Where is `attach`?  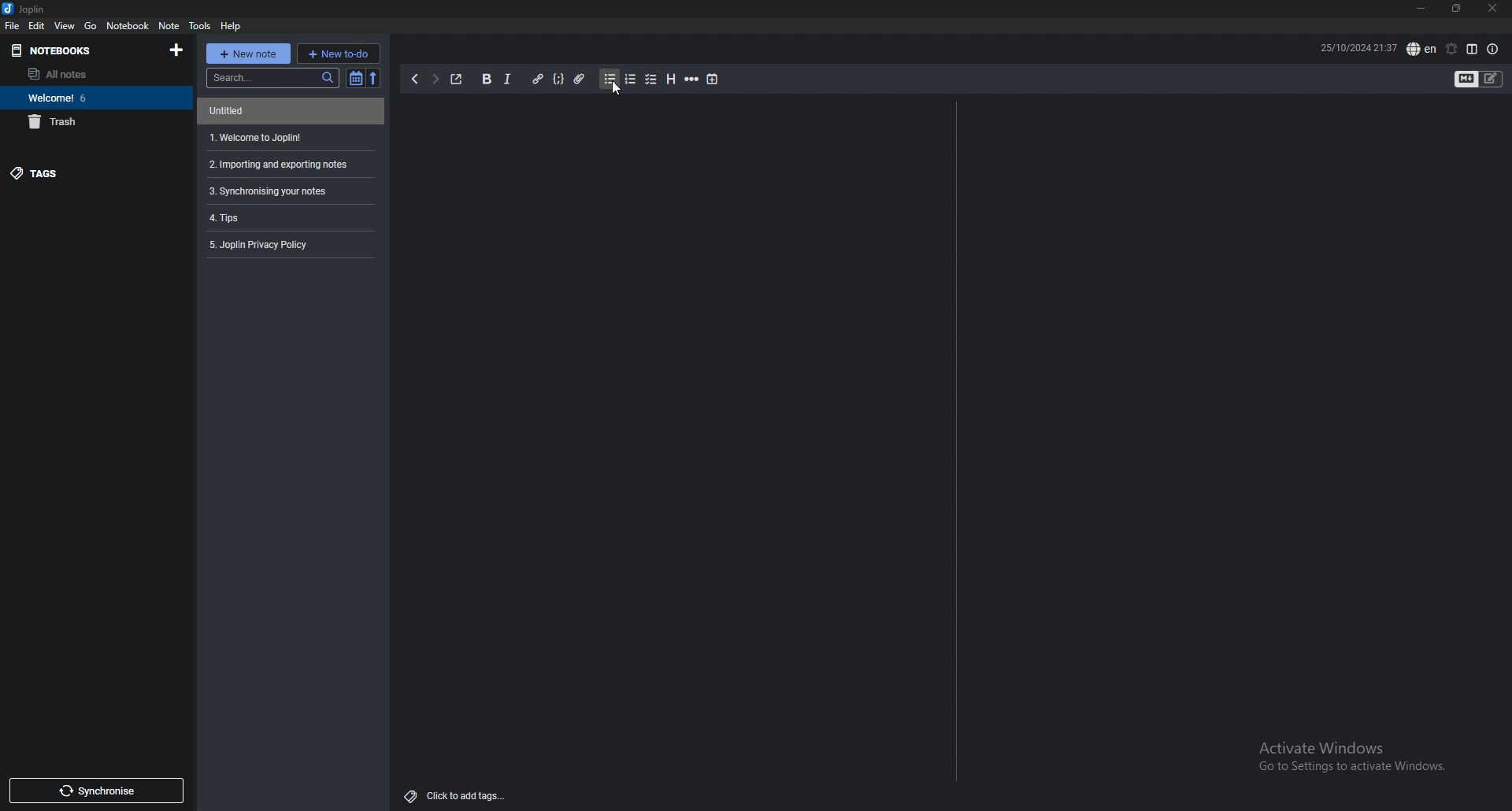
attach is located at coordinates (576, 80).